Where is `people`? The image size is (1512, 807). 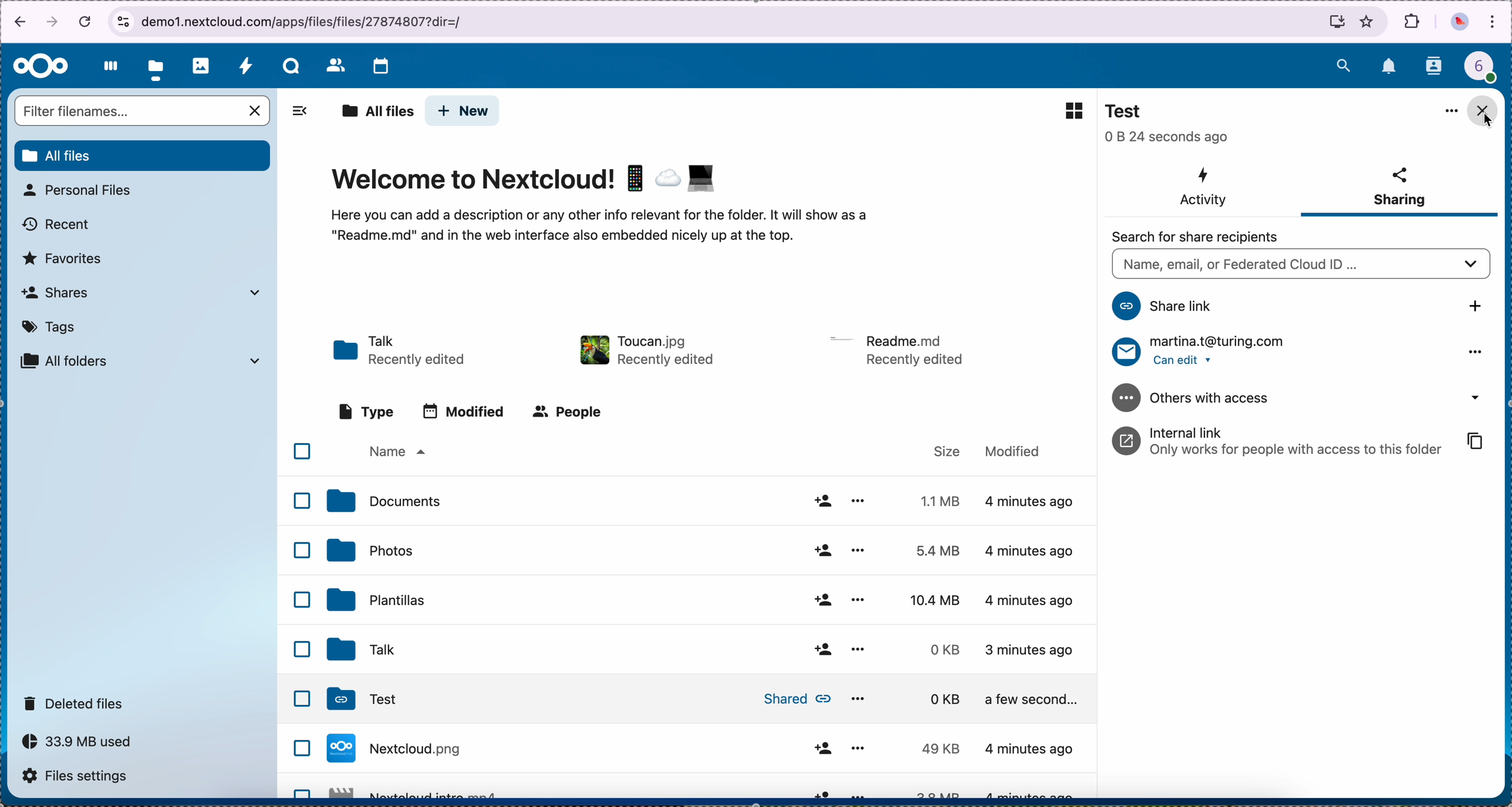
people is located at coordinates (571, 412).